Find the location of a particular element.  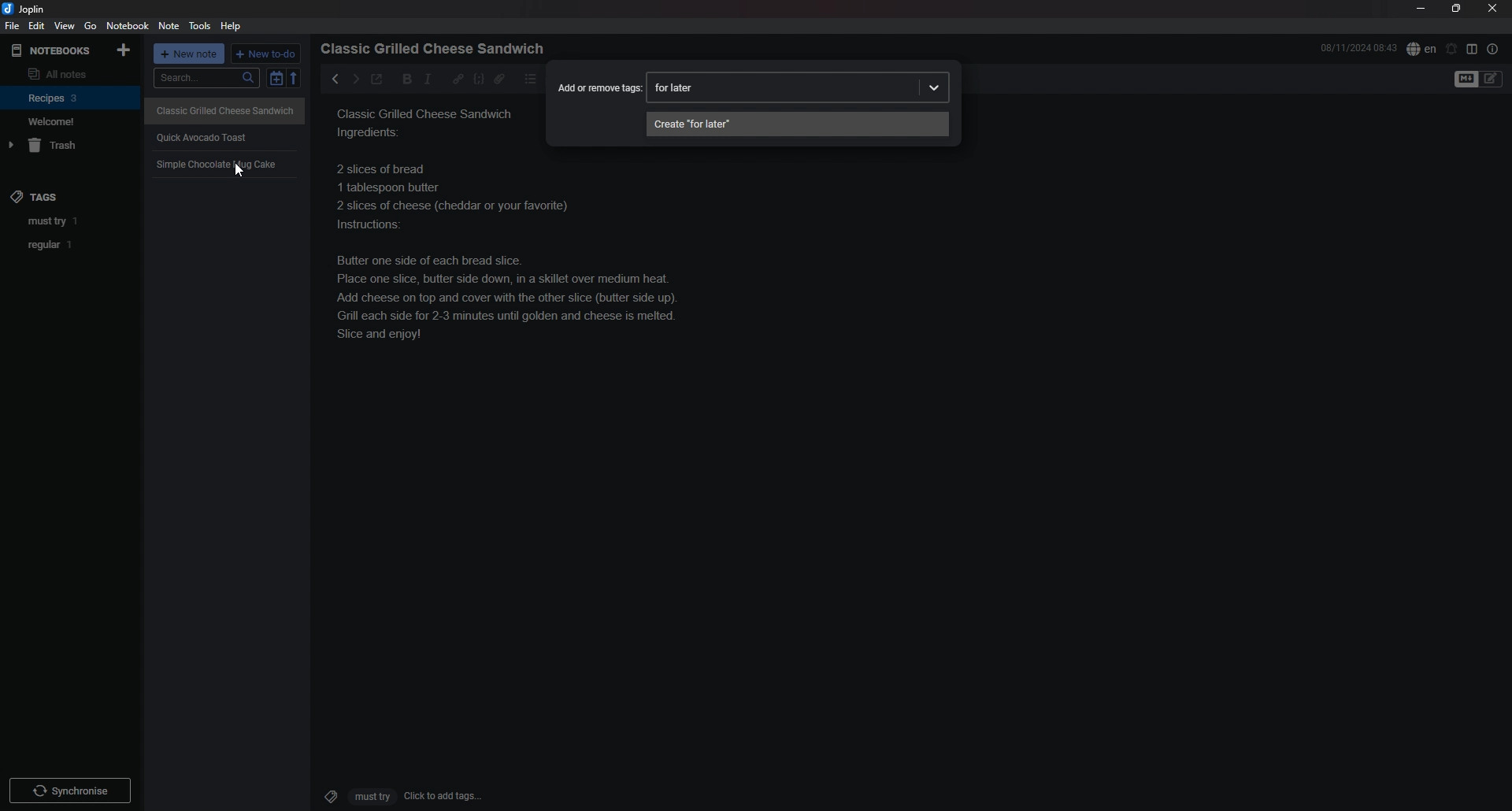

time is located at coordinates (1358, 47).